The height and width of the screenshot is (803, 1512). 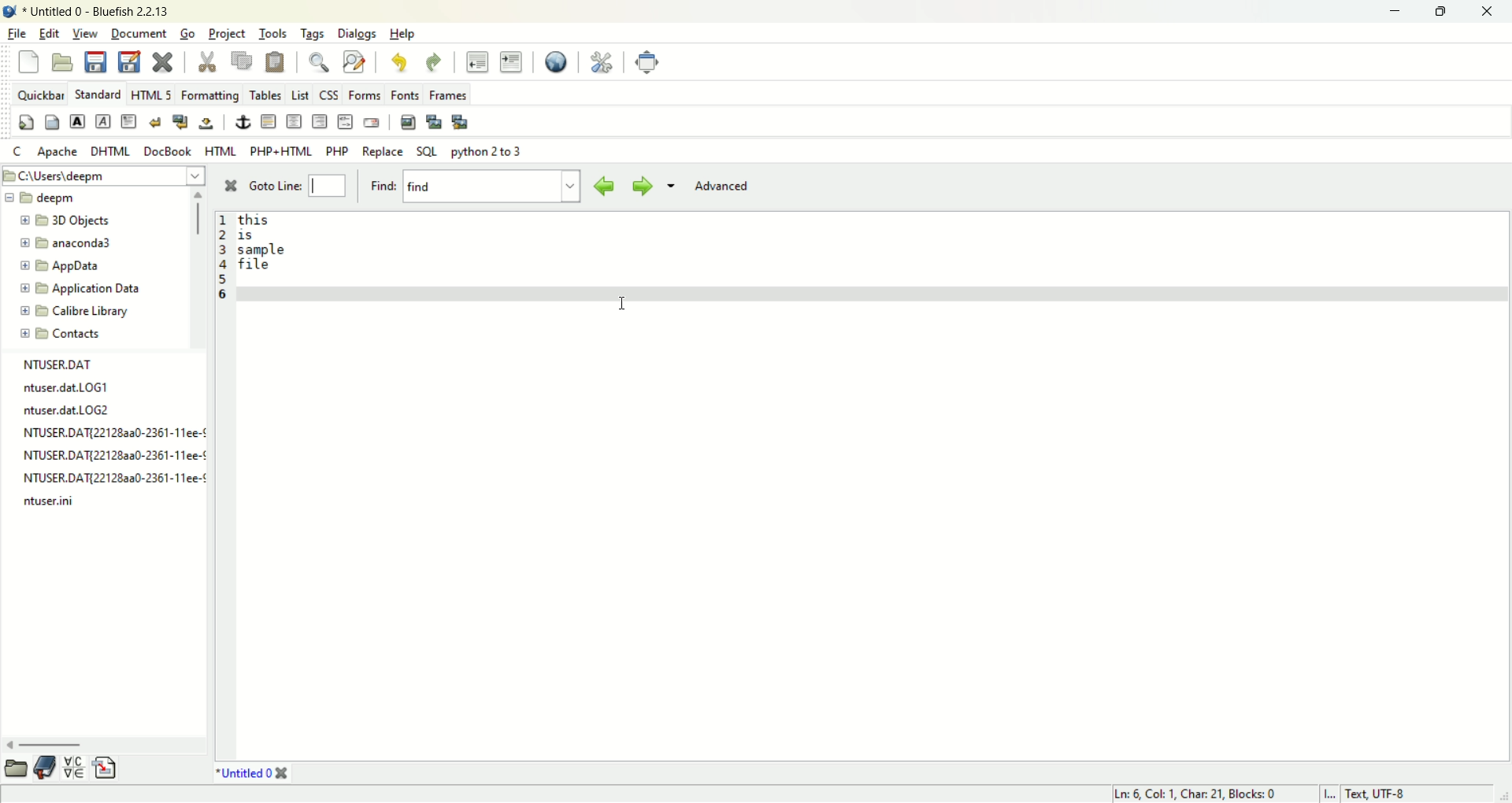 I want to click on find, so click(x=476, y=188).